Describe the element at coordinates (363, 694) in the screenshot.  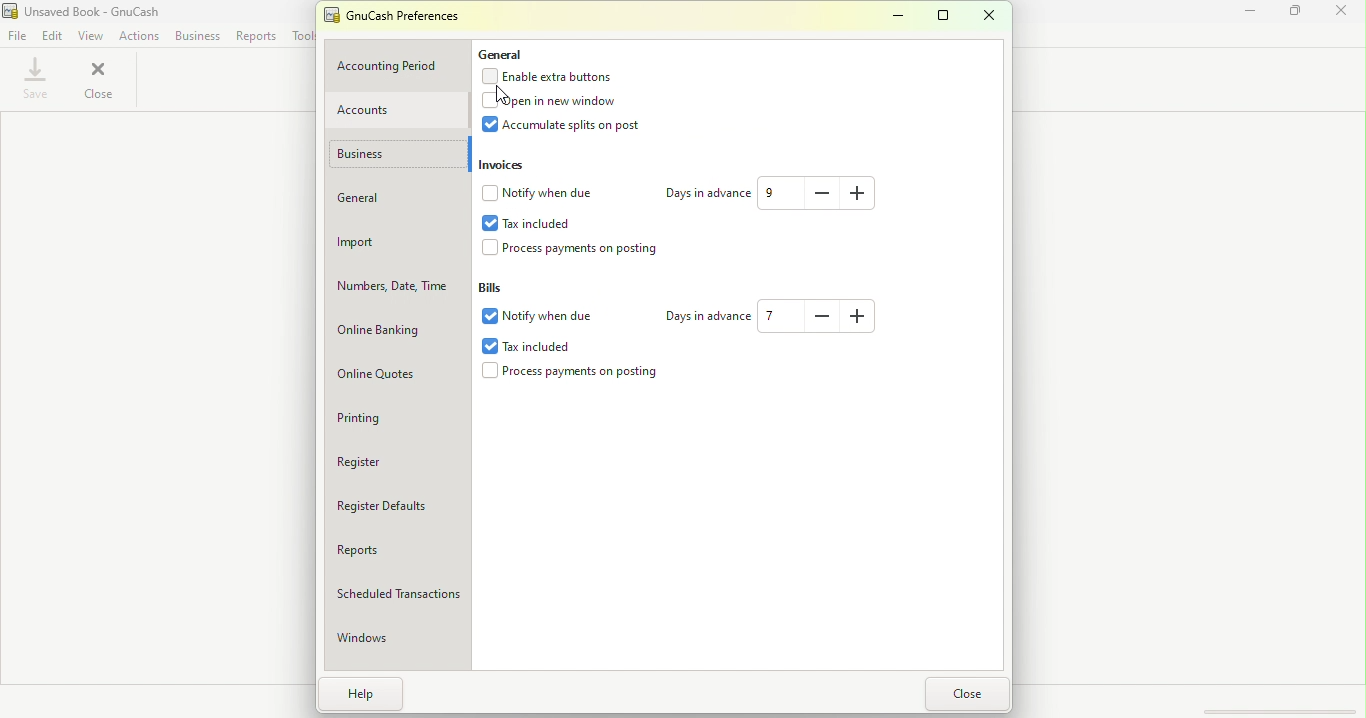
I see `Help` at that location.